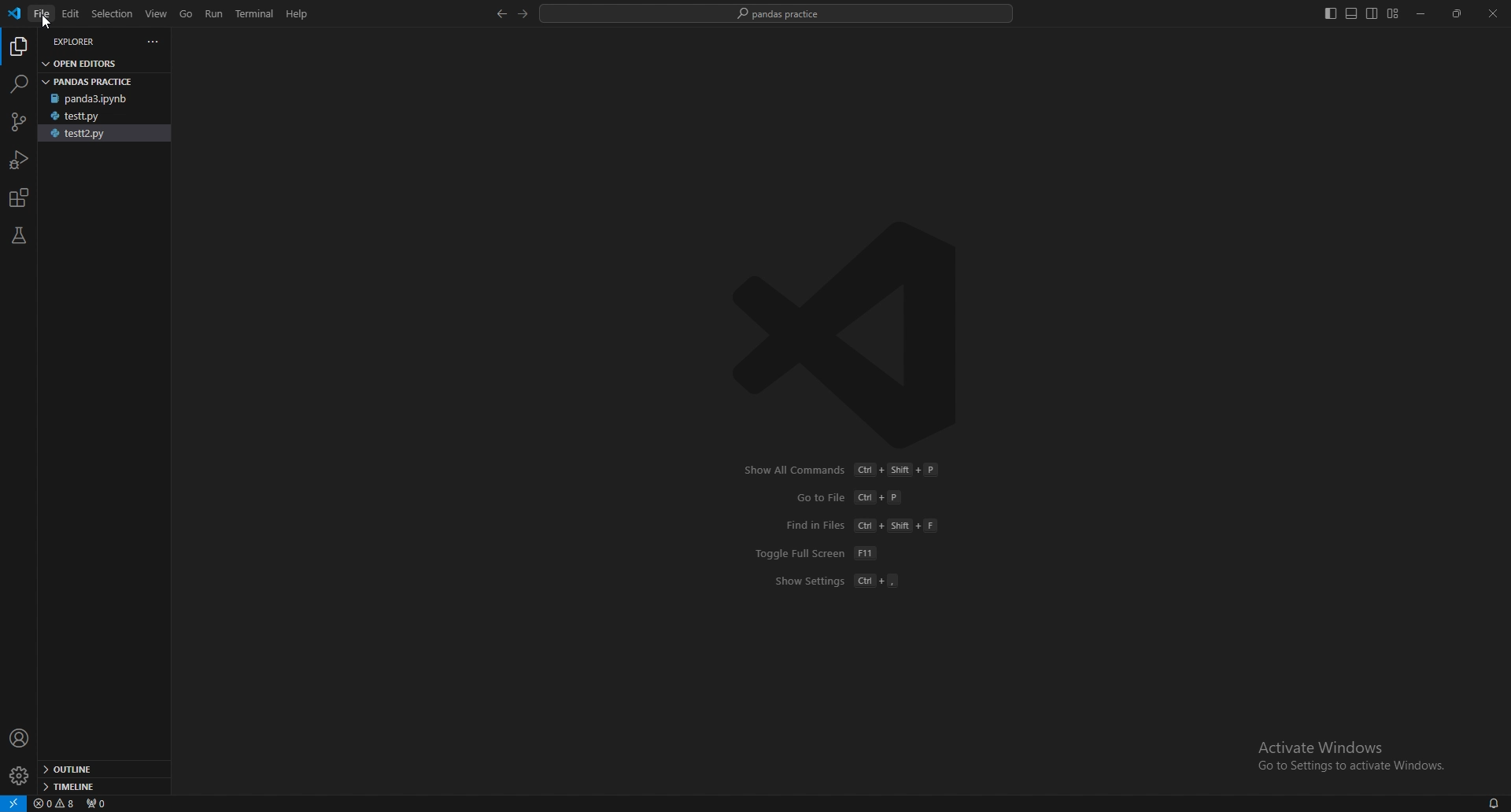 The width and height of the screenshot is (1511, 812). I want to click on pandas practice, so click(778, 14).